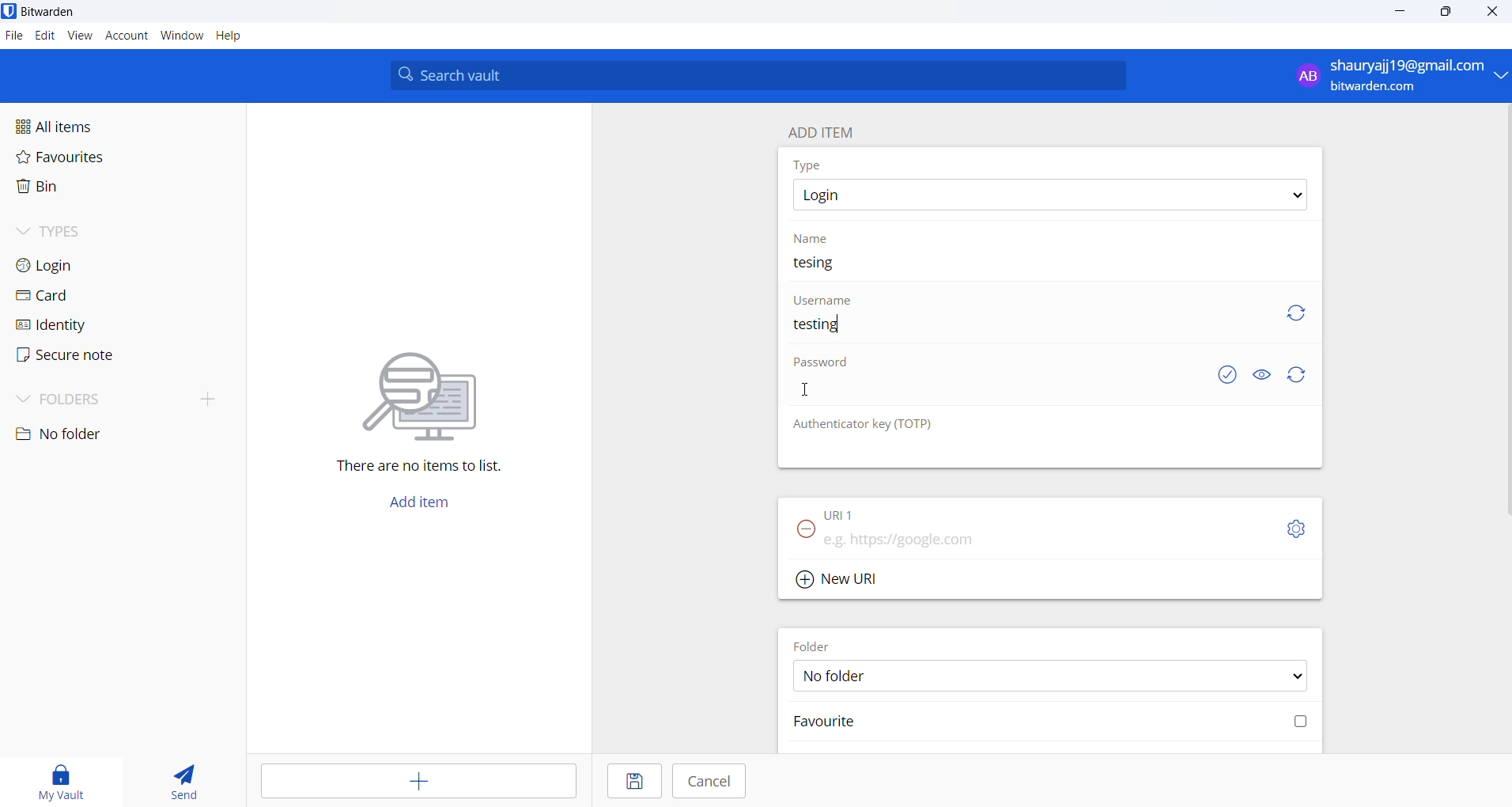  Describe the element at coordinates (95, 401) in the screenshot. I see `folders` at that location.